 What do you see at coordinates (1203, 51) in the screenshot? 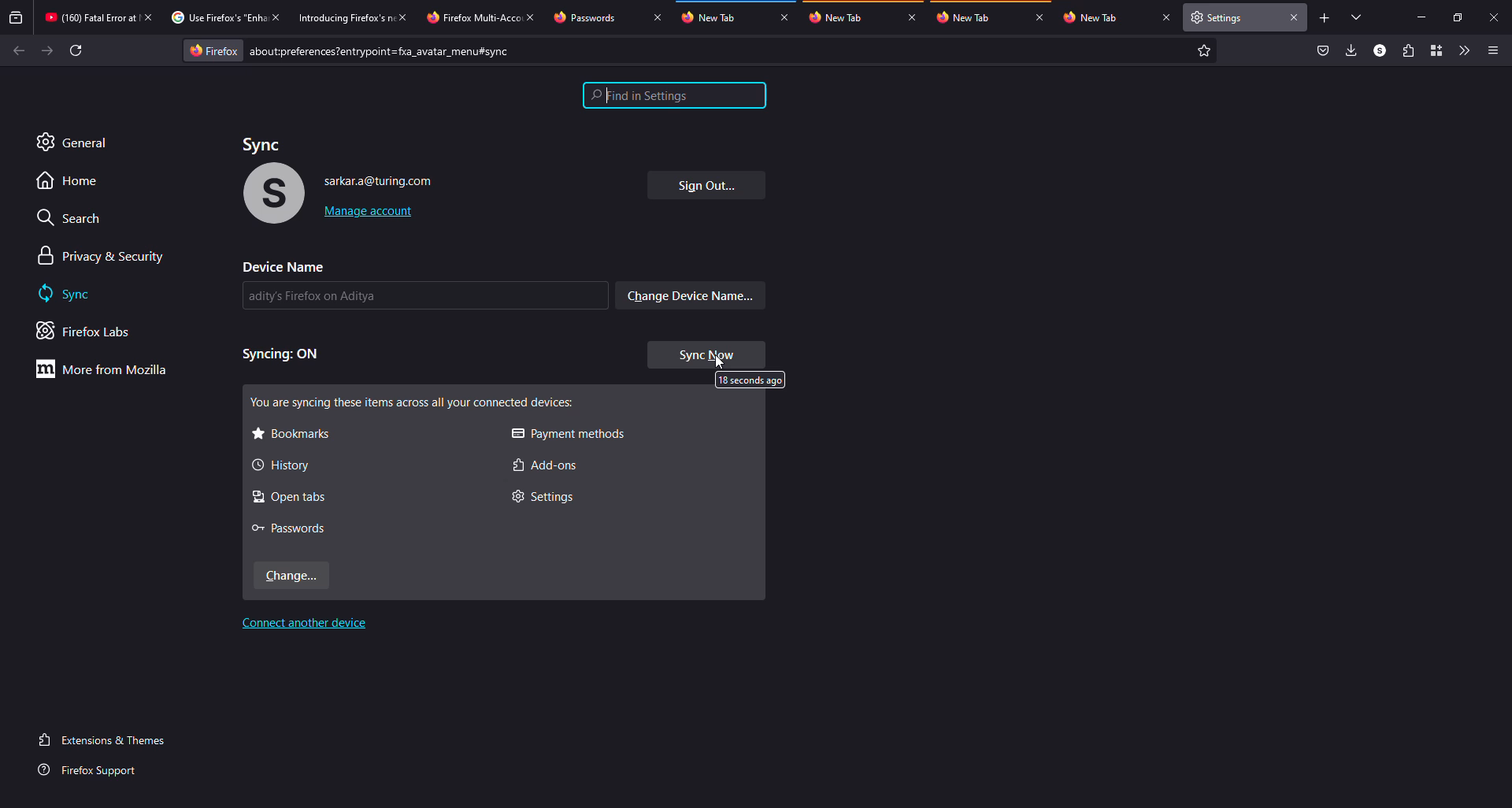
I see `favorite` at bounding box center [1203, 51].